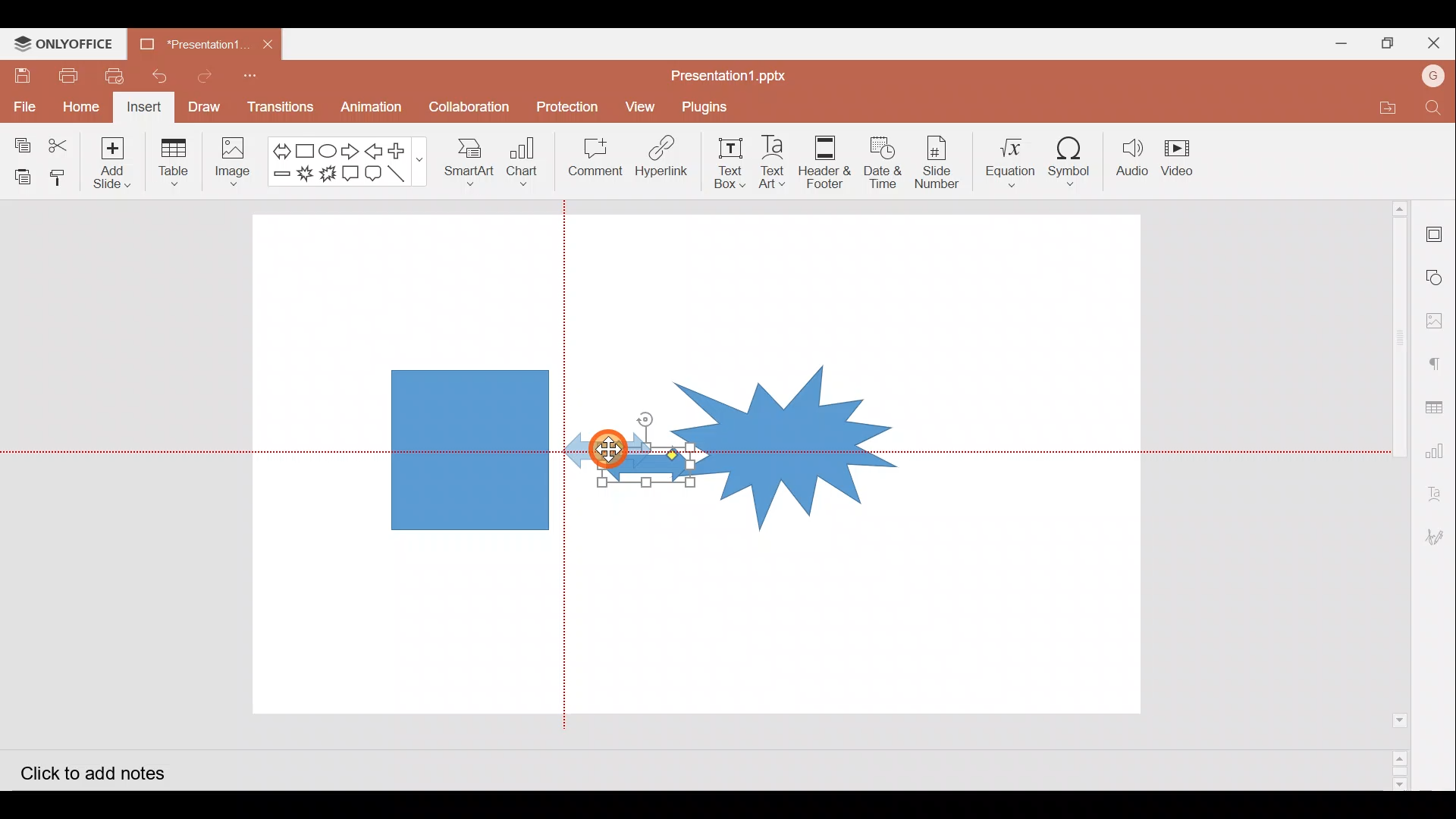  I want to click on Customize quick access toolbar, so click(259, 77).